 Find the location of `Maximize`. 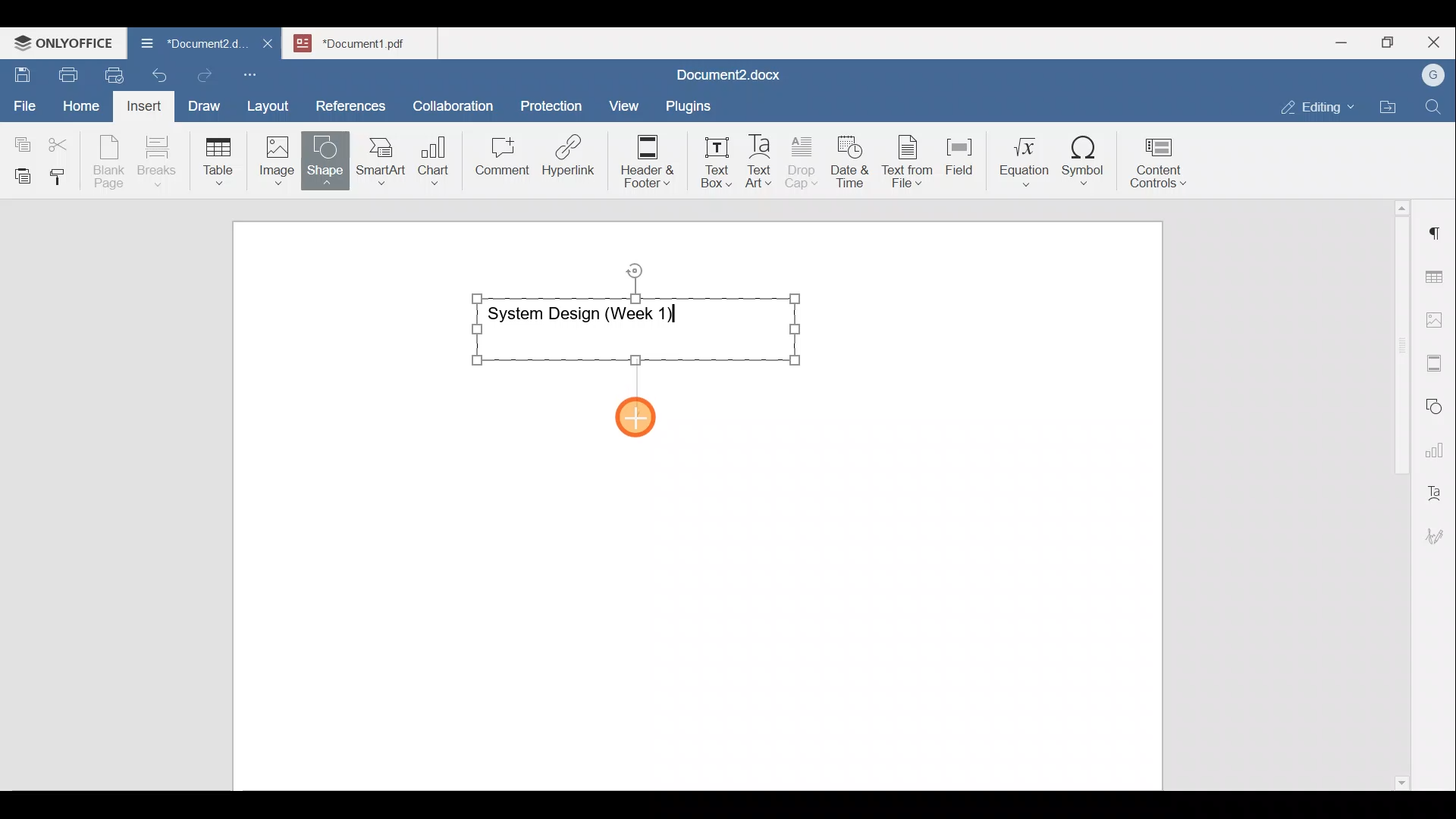

Maximize is located at coordinates (1392, 42).